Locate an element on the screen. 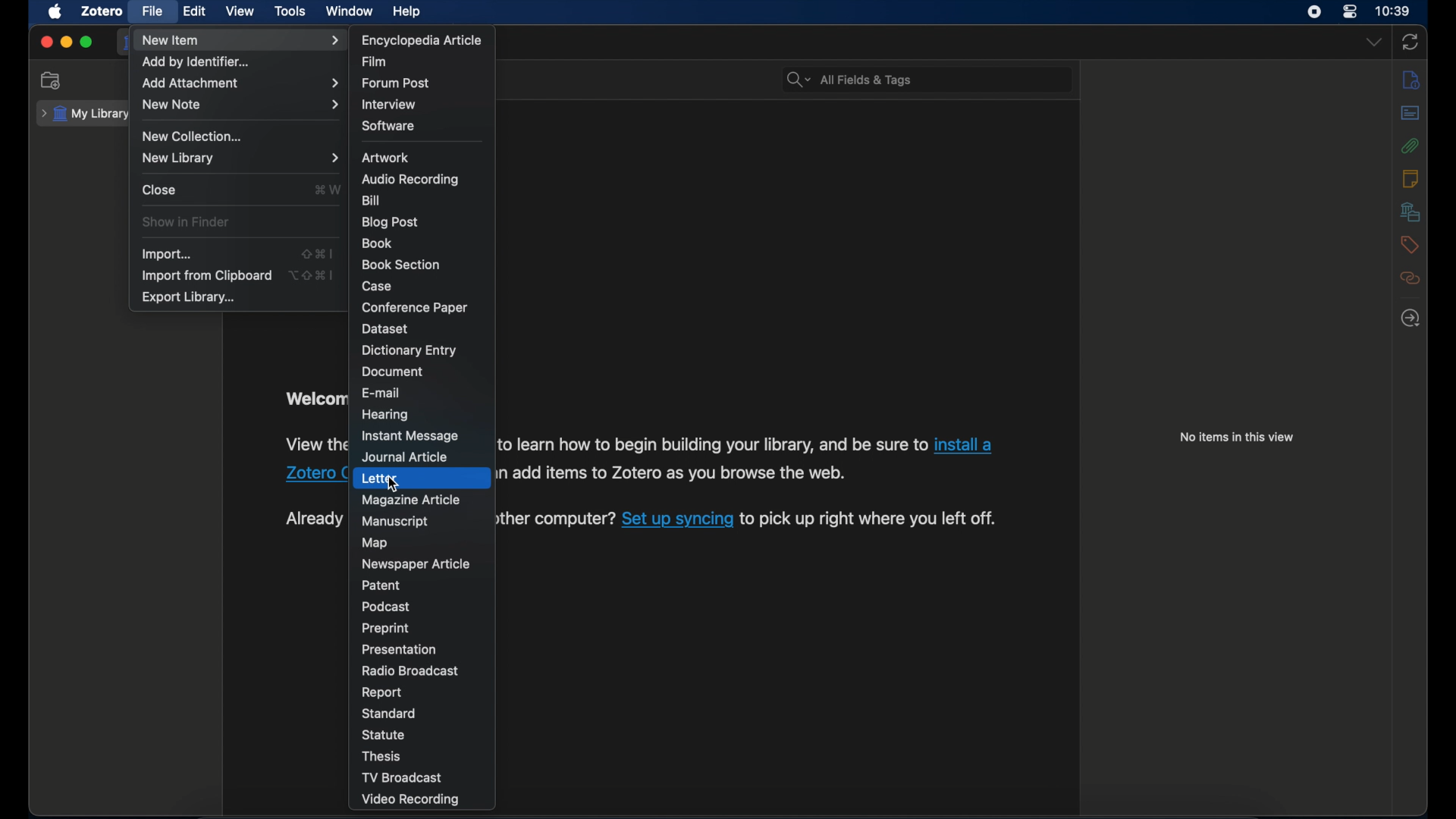 The height and width of the screenshot is (819, 1456). control center is located at coordinates (1350, 11).